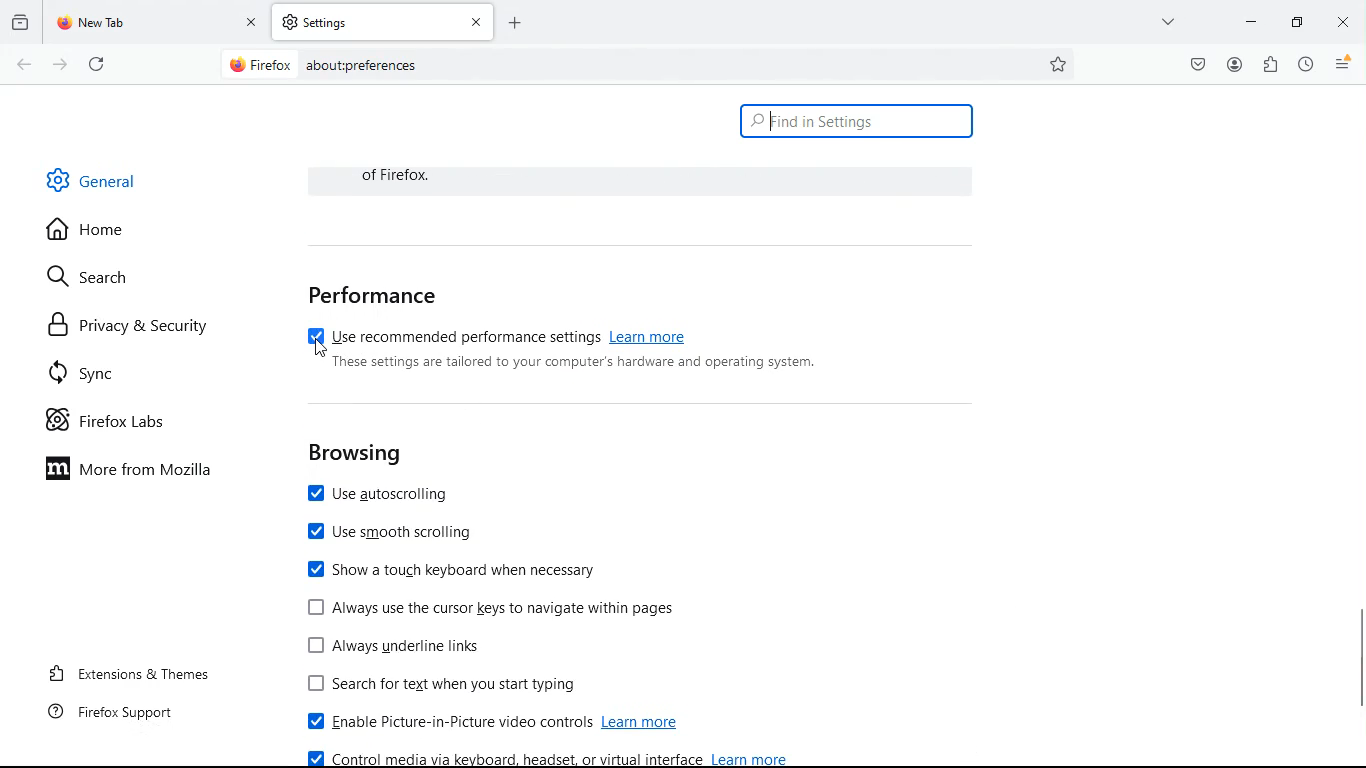  Describe the element at coordinates (361, 65) in the screenshot. I see `about:prefernces` at that location.